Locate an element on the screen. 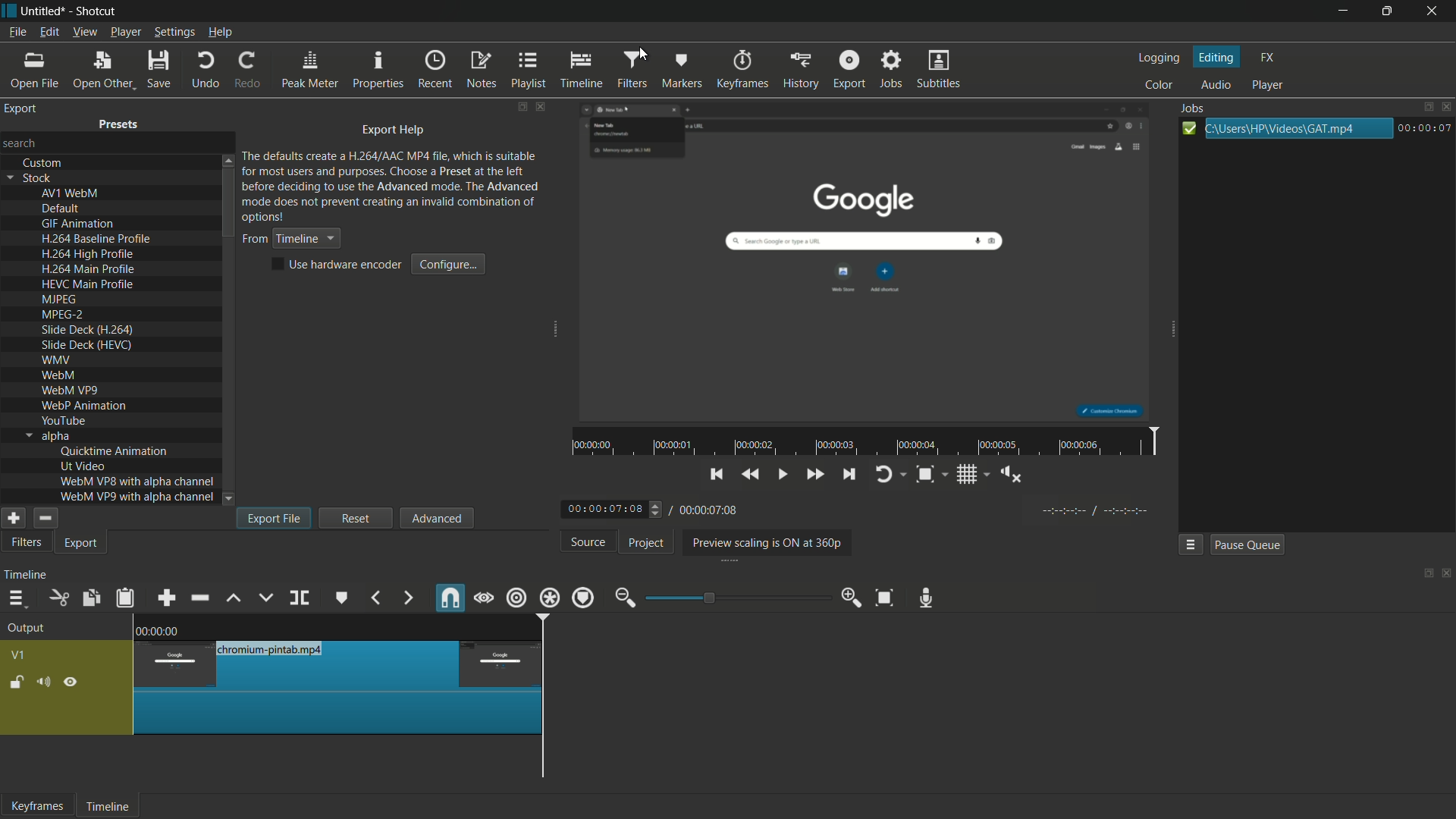 The height and width of the screenshot is (819, 1456). Configure is located at coordinates (445, 262).